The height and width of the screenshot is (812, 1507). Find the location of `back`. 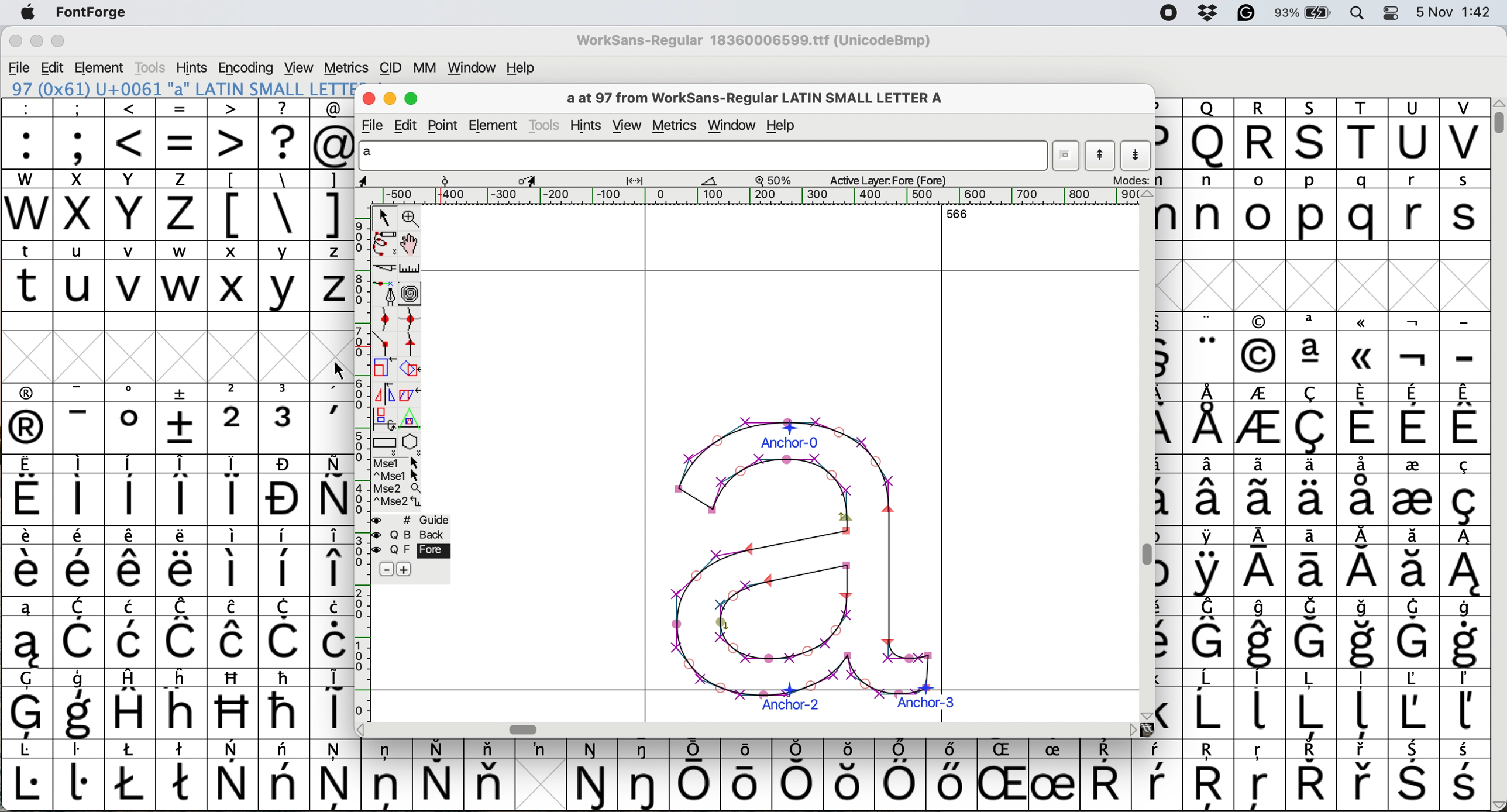

back is located at coordinates (410, 534).